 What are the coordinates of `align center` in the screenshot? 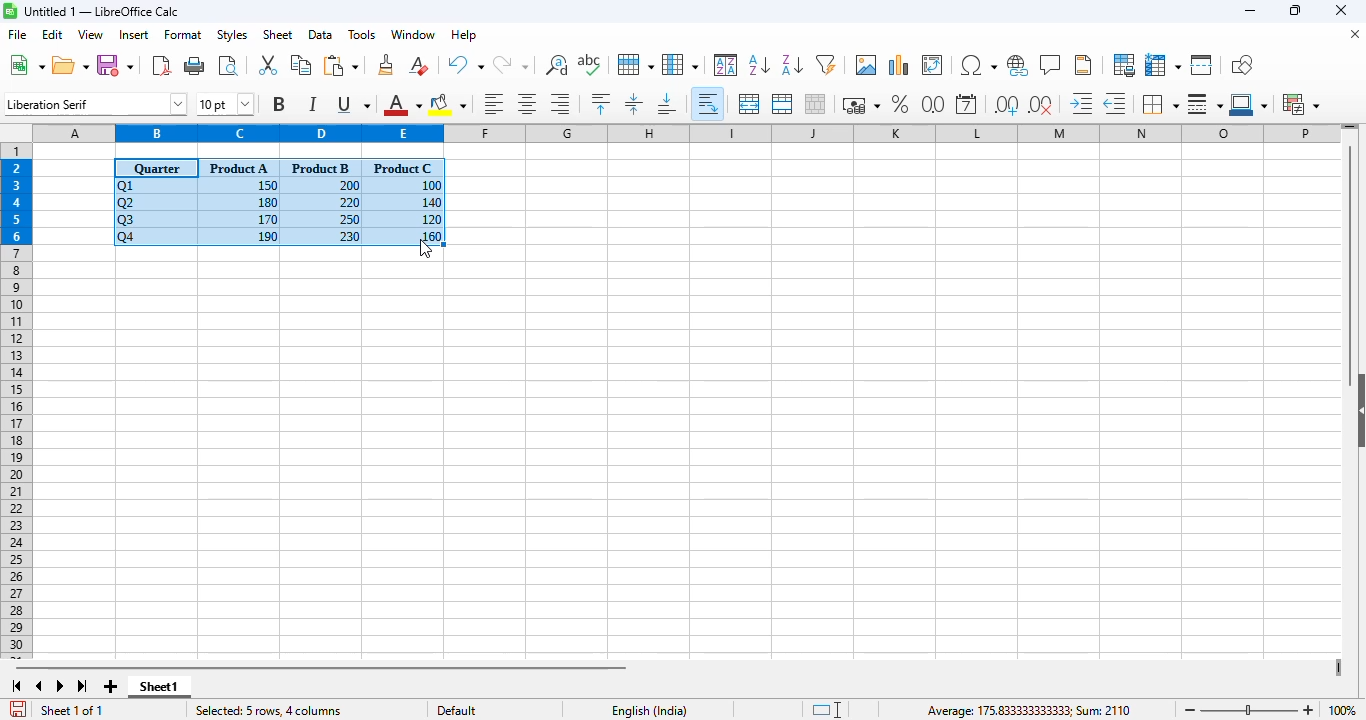 It's located at (528, 104).